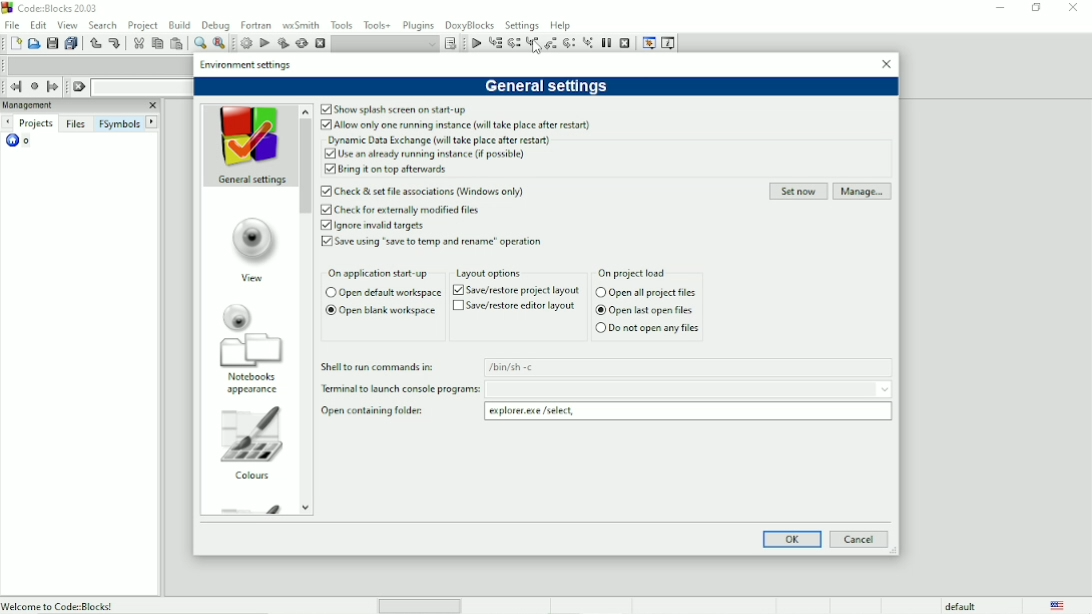 The width and height of the screenshot is (1092, 614). Describe the element at coordinates (151, 121) in the screenshot. I see `Next` at that location.